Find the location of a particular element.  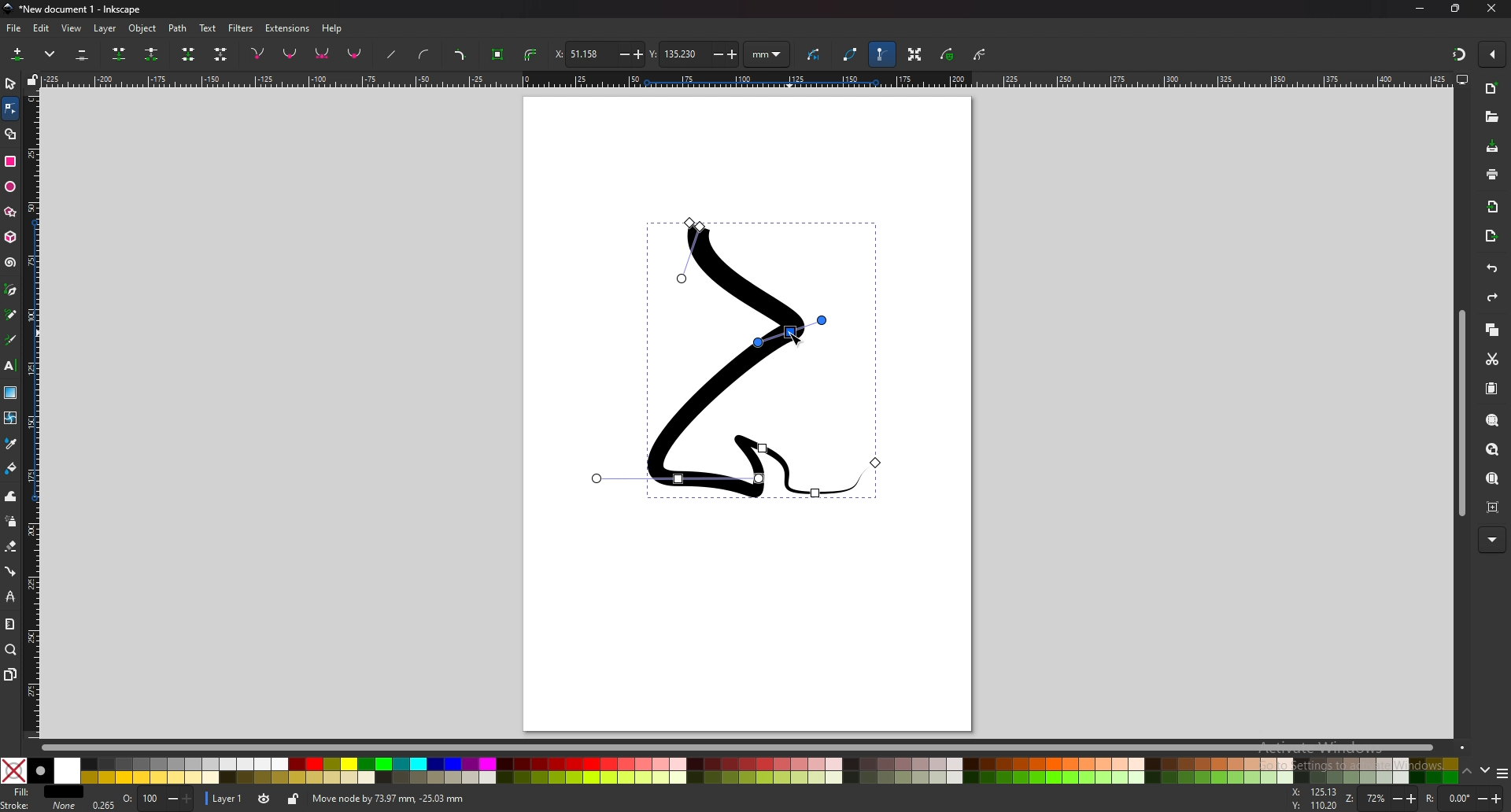

auto smooth is located at coordinates (355, 54).